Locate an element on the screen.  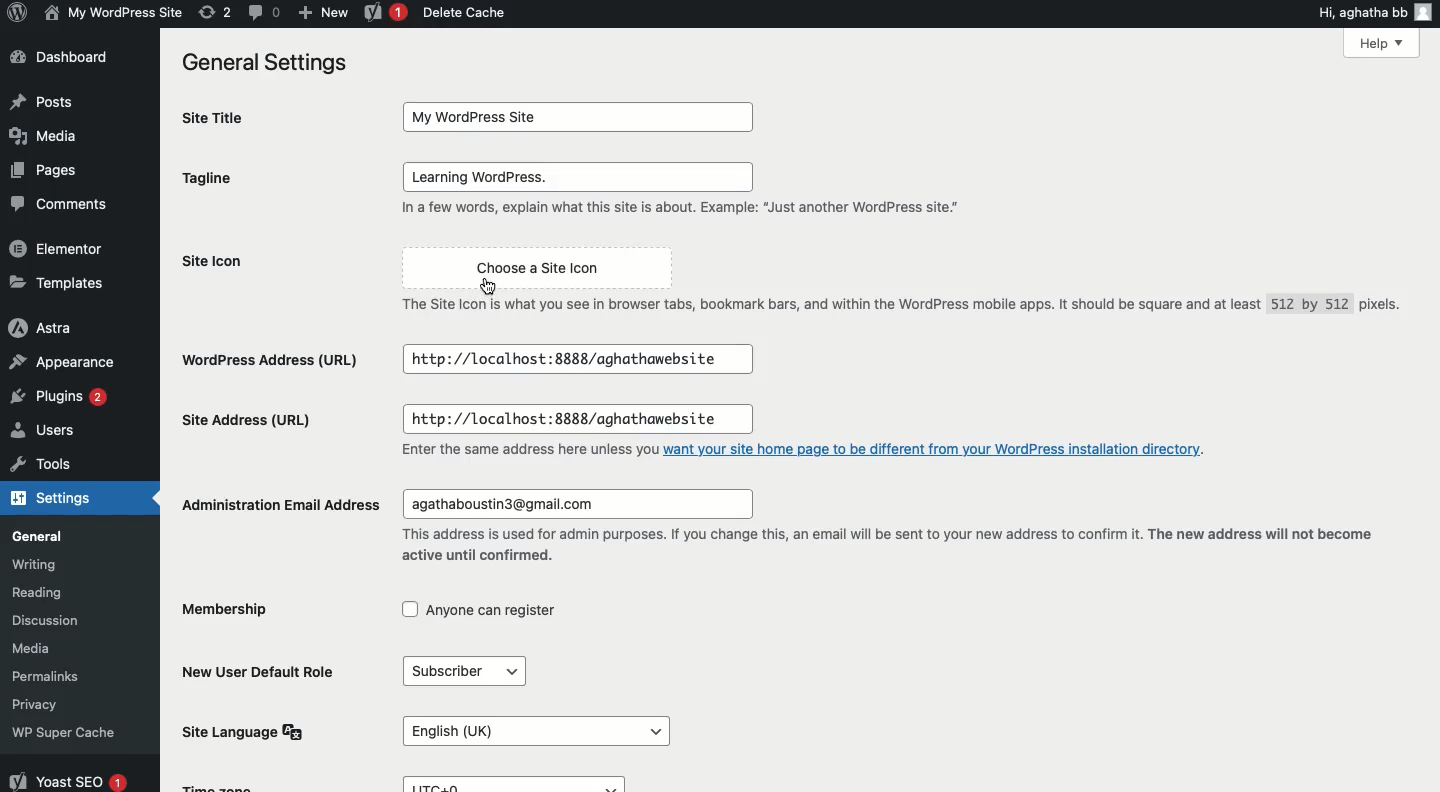
General is located at coordinates (64, 533).